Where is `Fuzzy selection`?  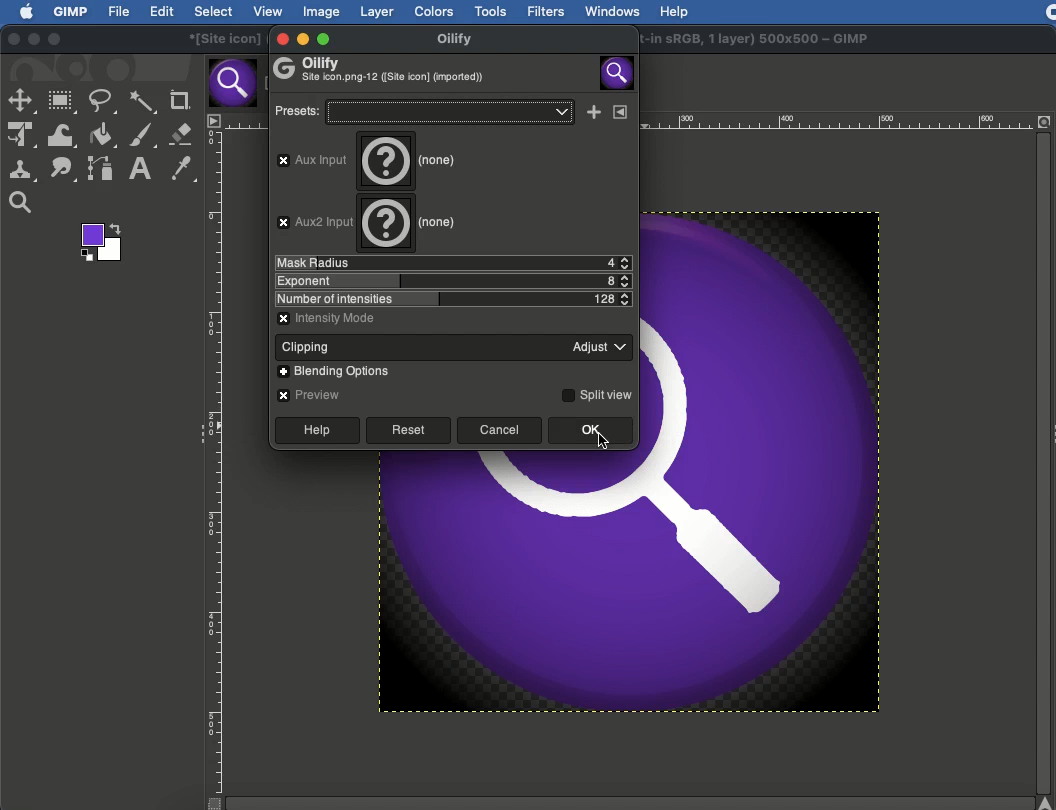 Fuzzy selection is located at coordinates (143, 102).